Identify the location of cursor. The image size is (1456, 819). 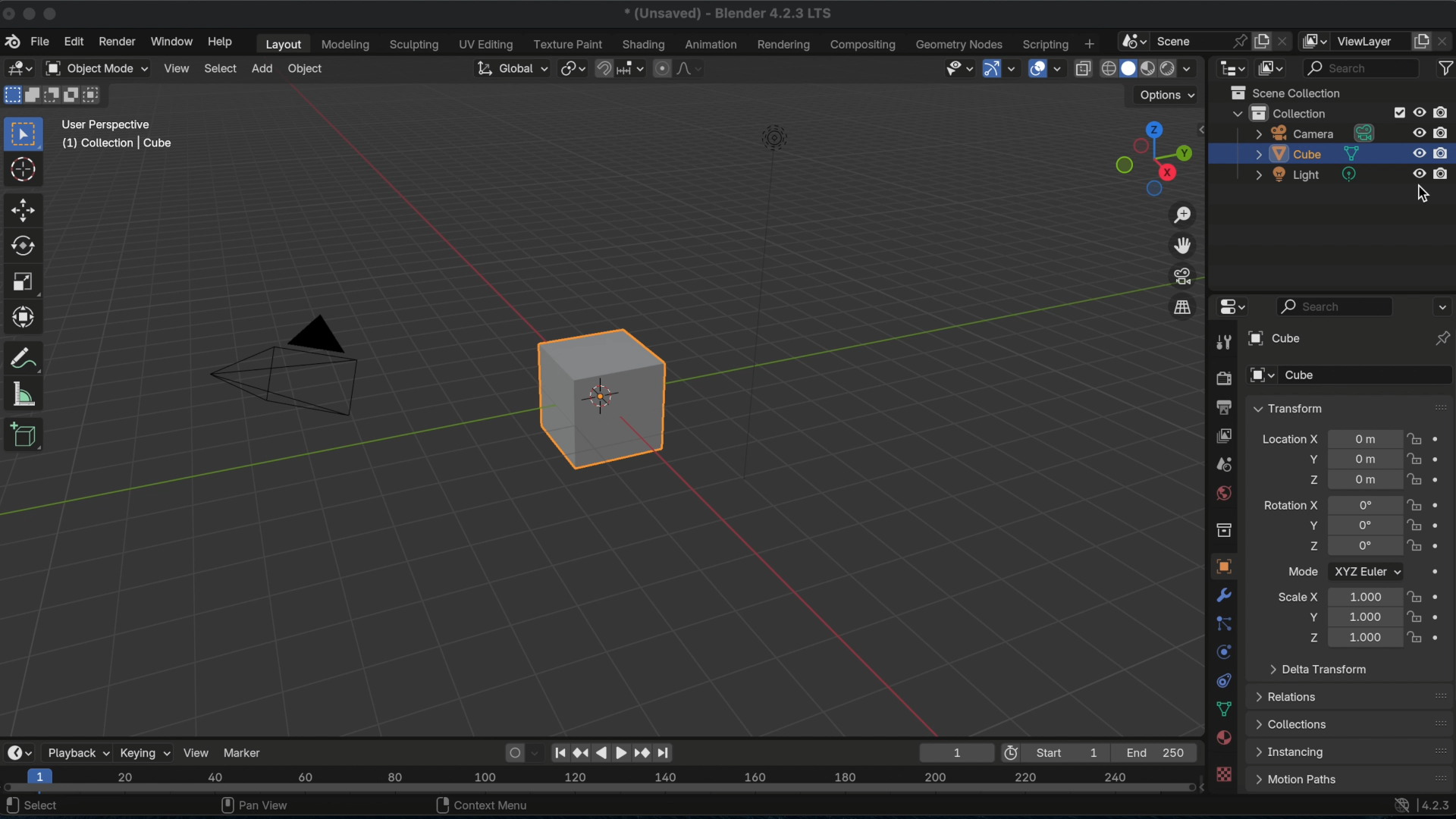
(1423, 196).